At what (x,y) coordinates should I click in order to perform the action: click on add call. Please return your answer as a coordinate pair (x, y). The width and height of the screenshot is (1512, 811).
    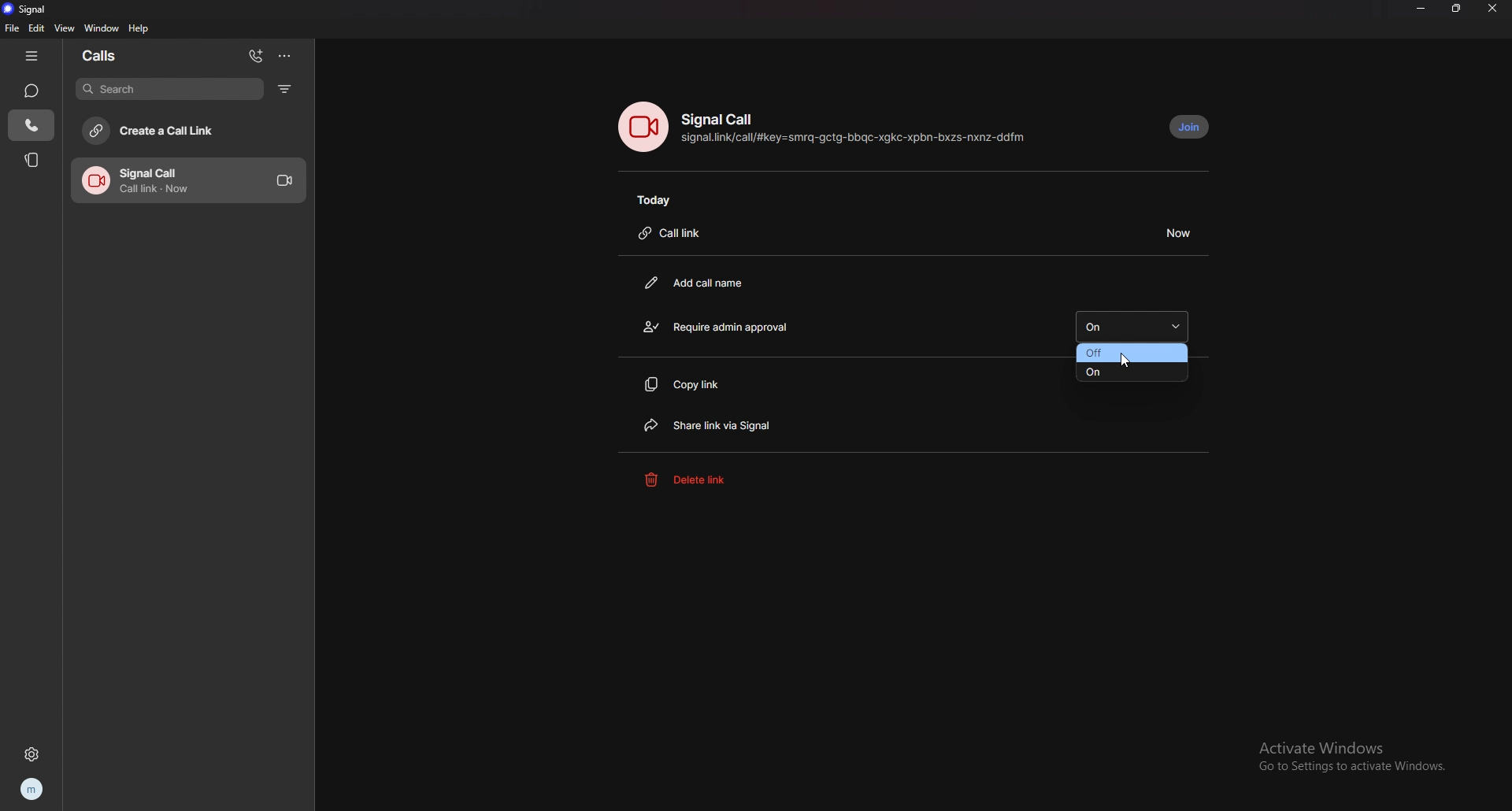
    Looking at the image, I should click on (257, 57).